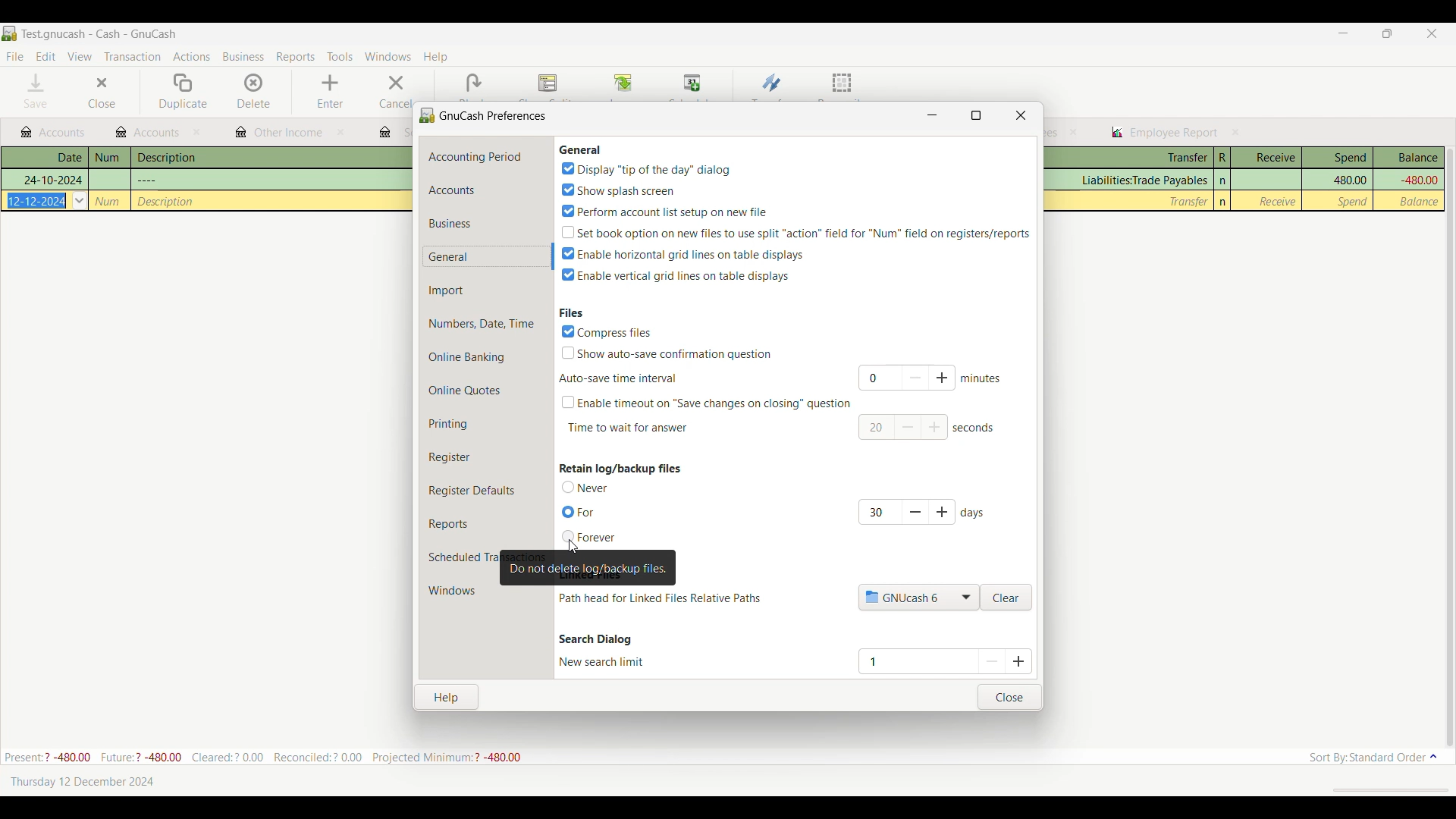 The width and height of the screenshot is (1456, 819). What do you see at coordinates (255, 91) in the screenshot?
I see `Delete` at bounding box center [255, 91].